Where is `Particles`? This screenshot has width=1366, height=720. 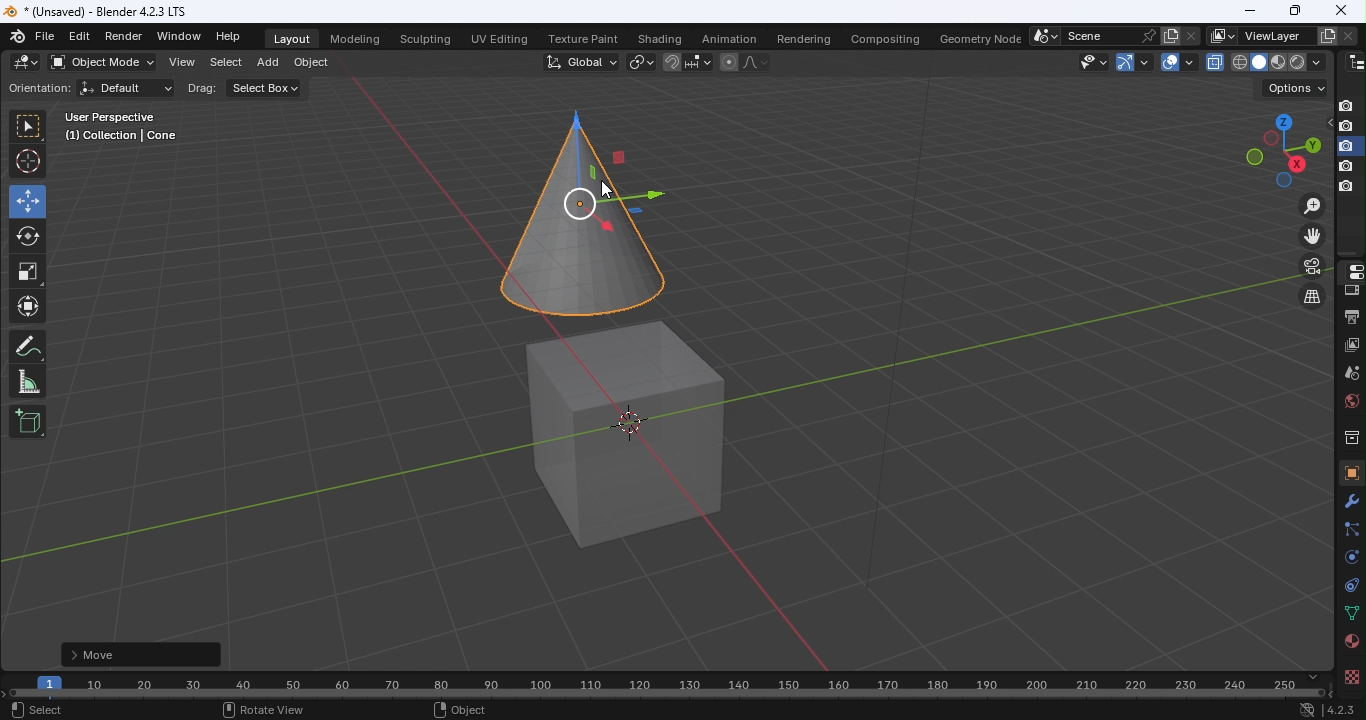
Particles is located at coordinates (1350, 528).